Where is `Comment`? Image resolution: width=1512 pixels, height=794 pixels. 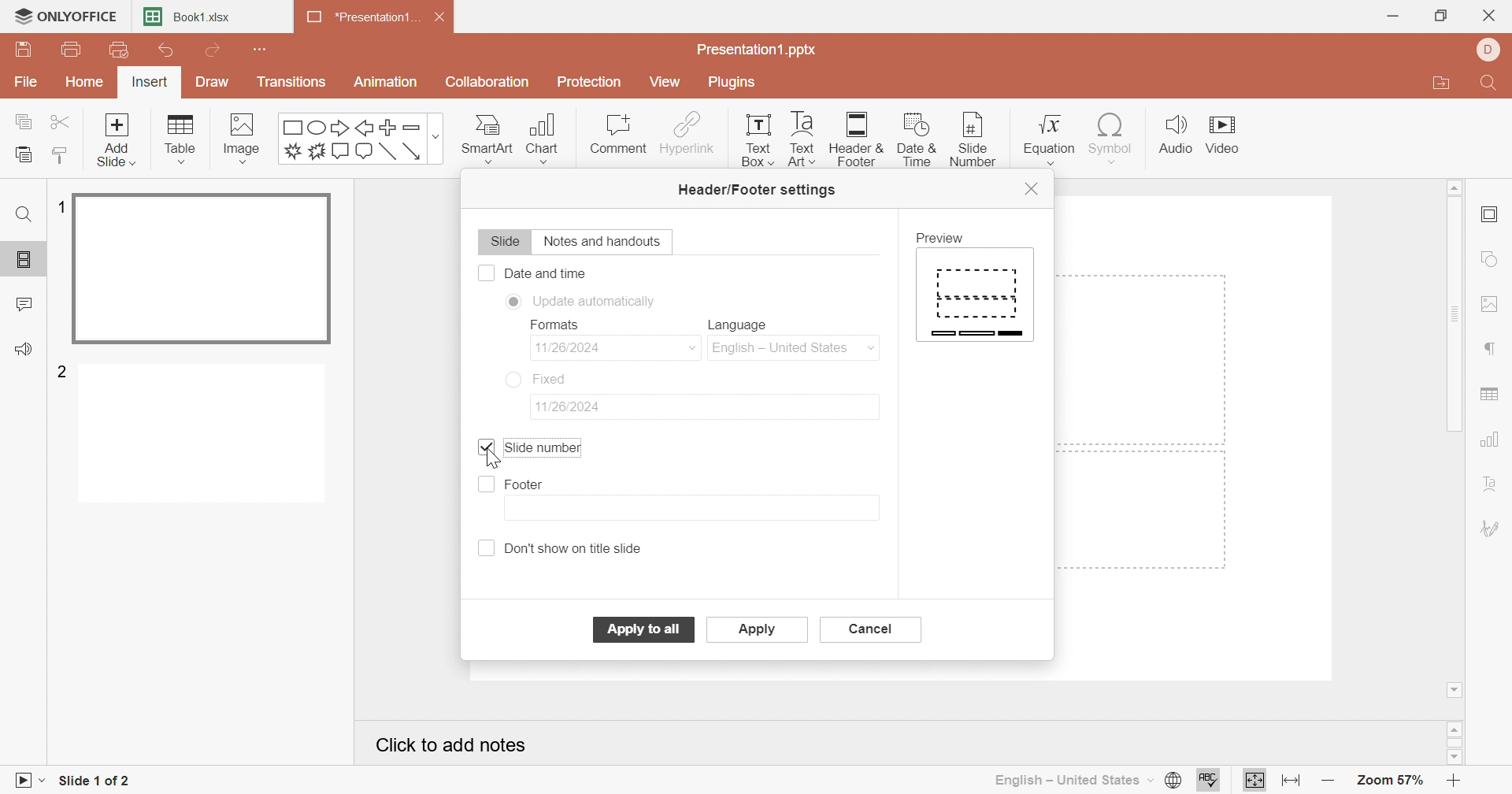 Comment is located at coordinates (617, 135).